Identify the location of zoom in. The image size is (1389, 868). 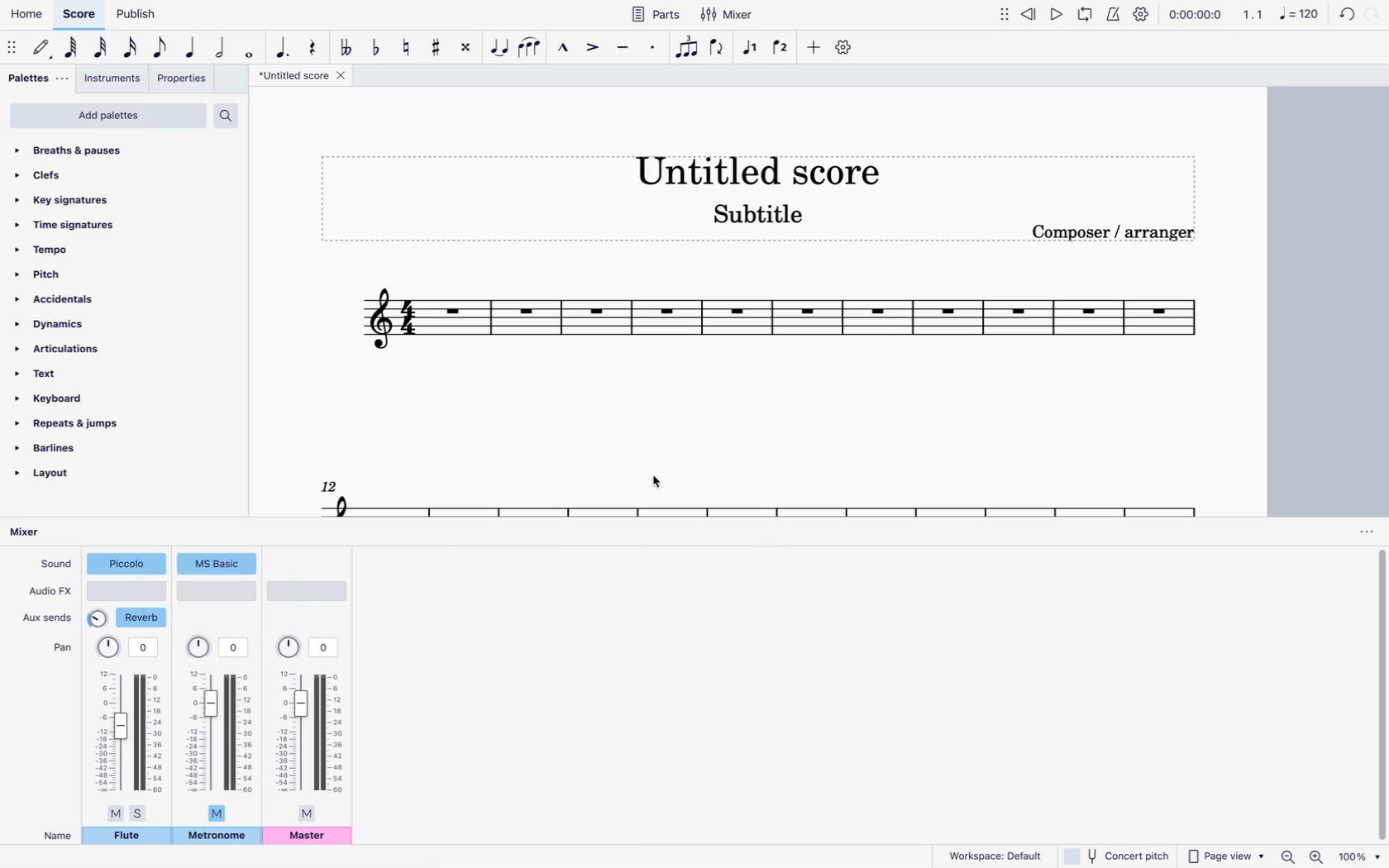
(1318, 855).